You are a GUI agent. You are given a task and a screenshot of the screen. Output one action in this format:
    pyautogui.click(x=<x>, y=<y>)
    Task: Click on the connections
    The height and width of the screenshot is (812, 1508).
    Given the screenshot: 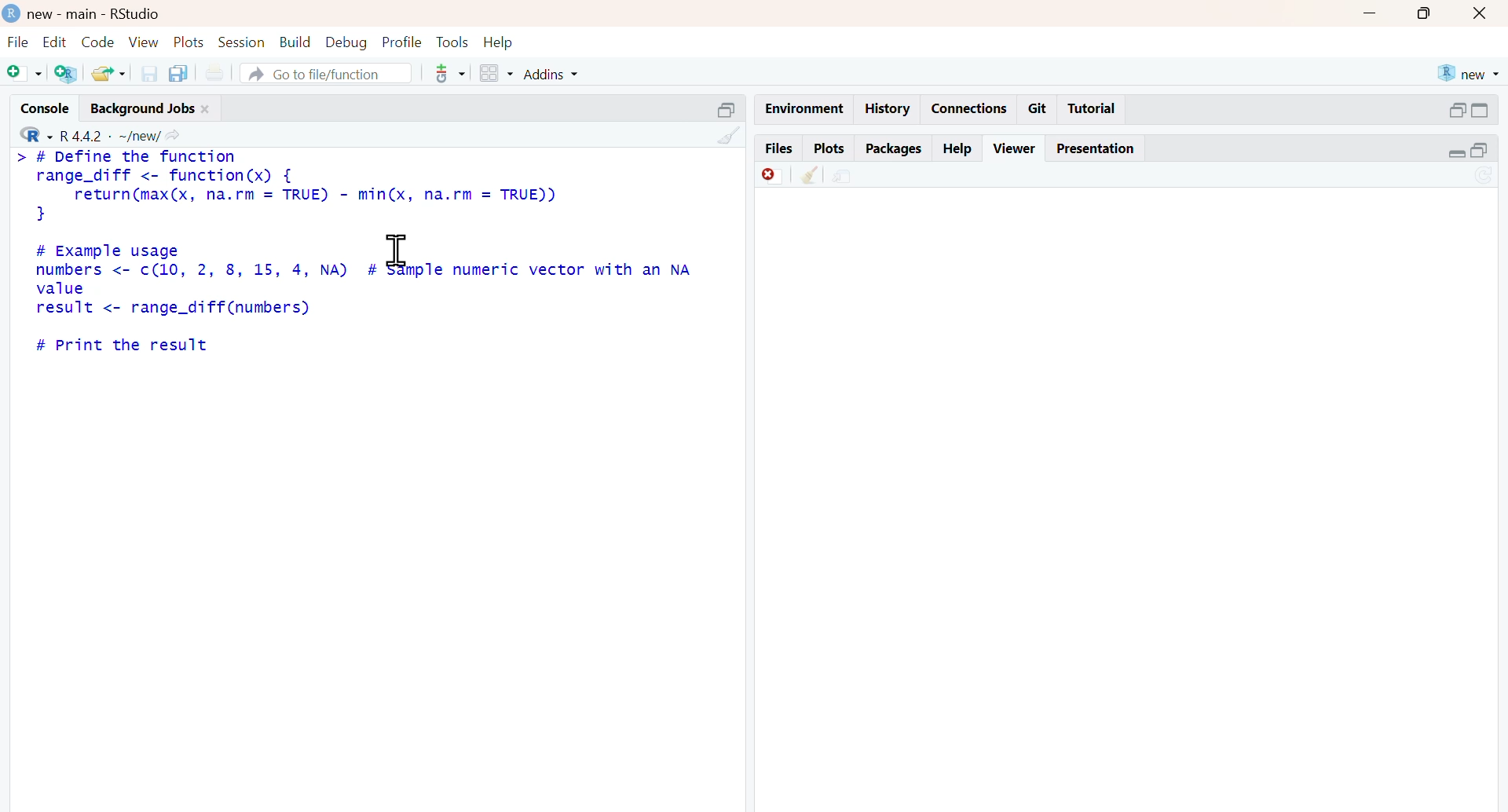 What is the action you would take?
    pyautogui.click(x=970, y=109)
    